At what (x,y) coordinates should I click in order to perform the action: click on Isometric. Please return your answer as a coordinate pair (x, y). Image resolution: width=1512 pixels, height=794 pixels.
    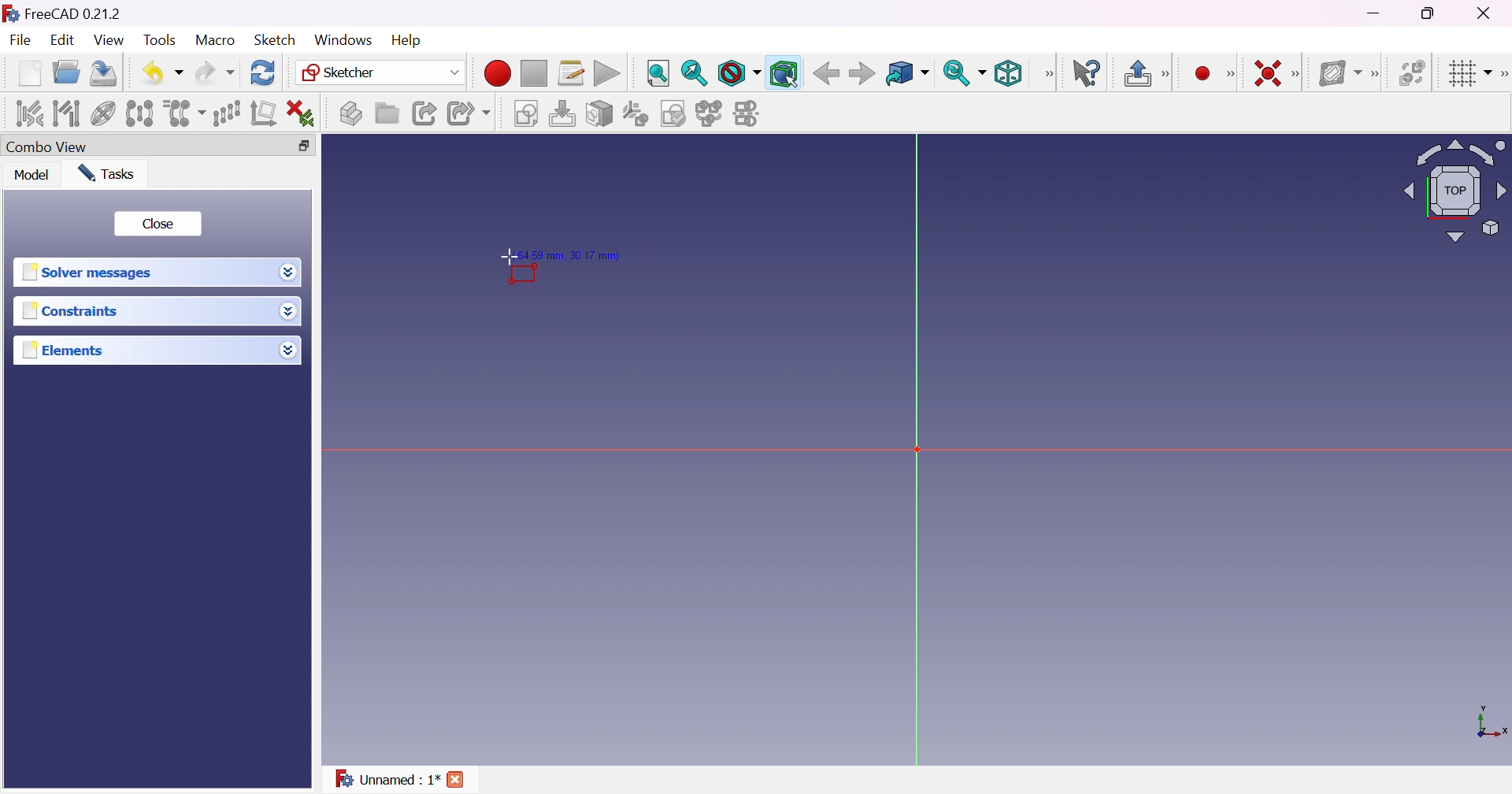
    Looking at the image, I should click on (1009, 72).